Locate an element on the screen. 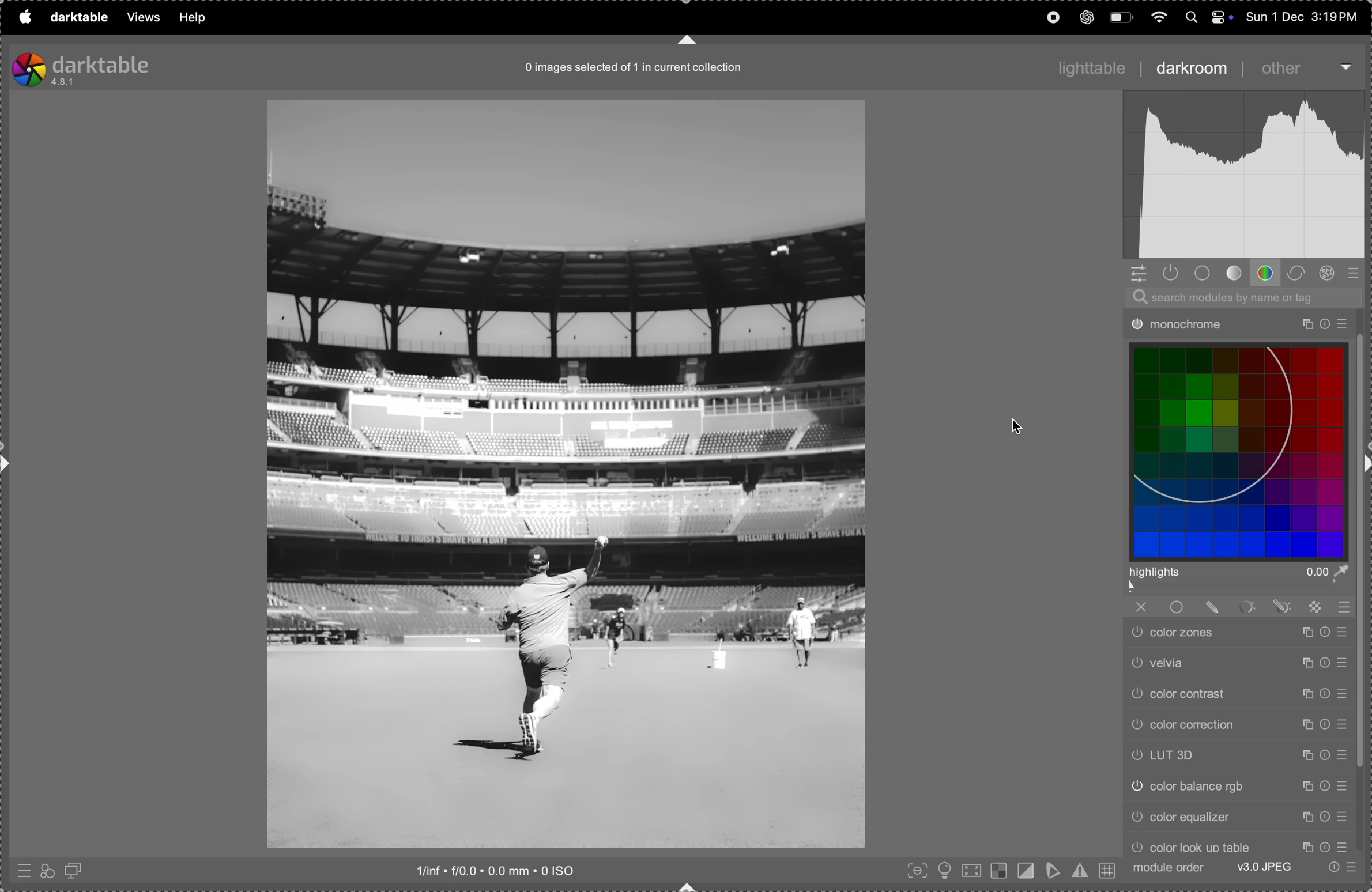 This screenshot has height=892, width=1372. views is located at coordinates (142, 17).